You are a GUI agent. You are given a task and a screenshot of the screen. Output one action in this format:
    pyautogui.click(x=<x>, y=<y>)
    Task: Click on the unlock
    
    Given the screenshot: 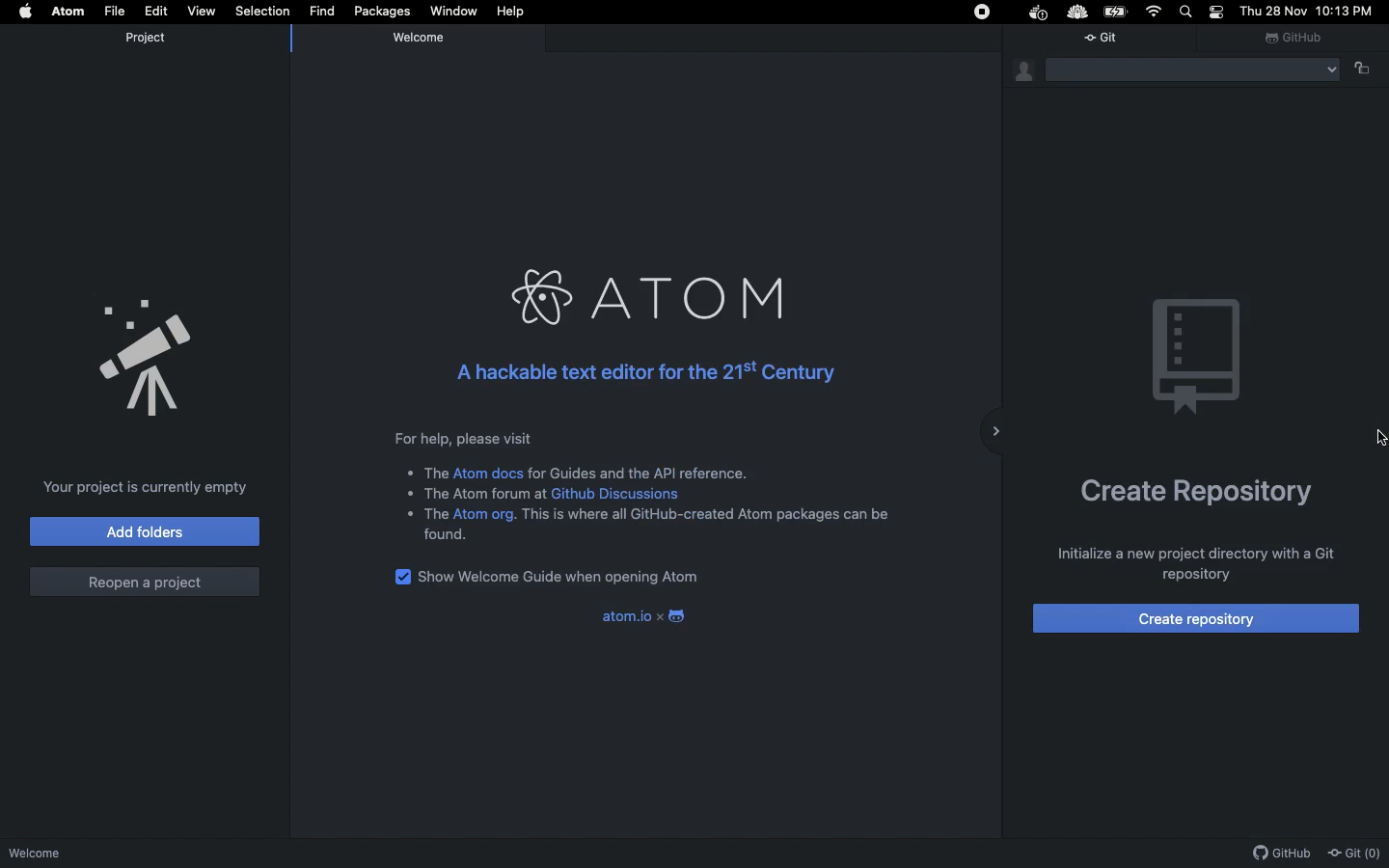 What is the action you would take?
    pyautogui.click(x=1370, y=69)
    